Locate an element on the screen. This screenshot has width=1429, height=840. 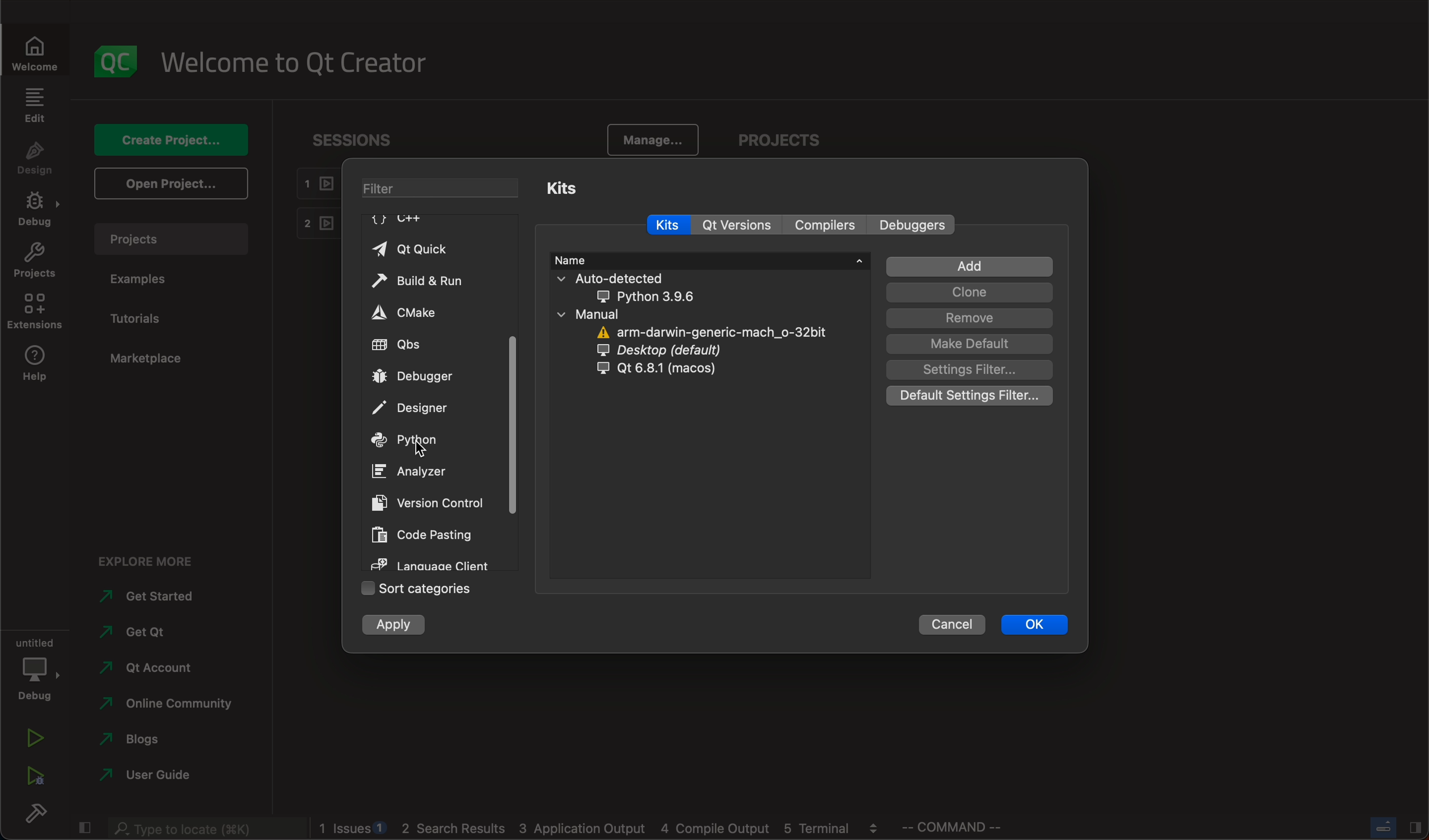
add is located at coordinates (971, 266).